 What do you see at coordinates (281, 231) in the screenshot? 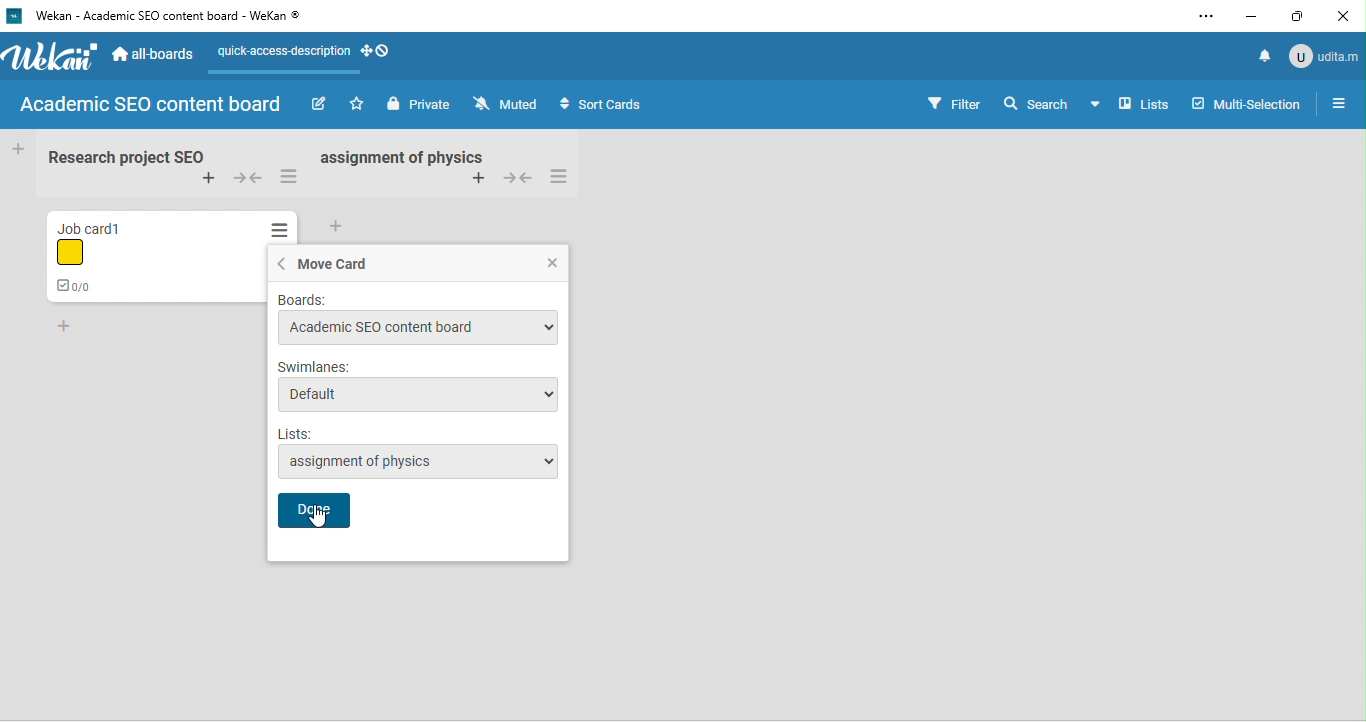
I see `List Action` at bounding box center [281, 231].